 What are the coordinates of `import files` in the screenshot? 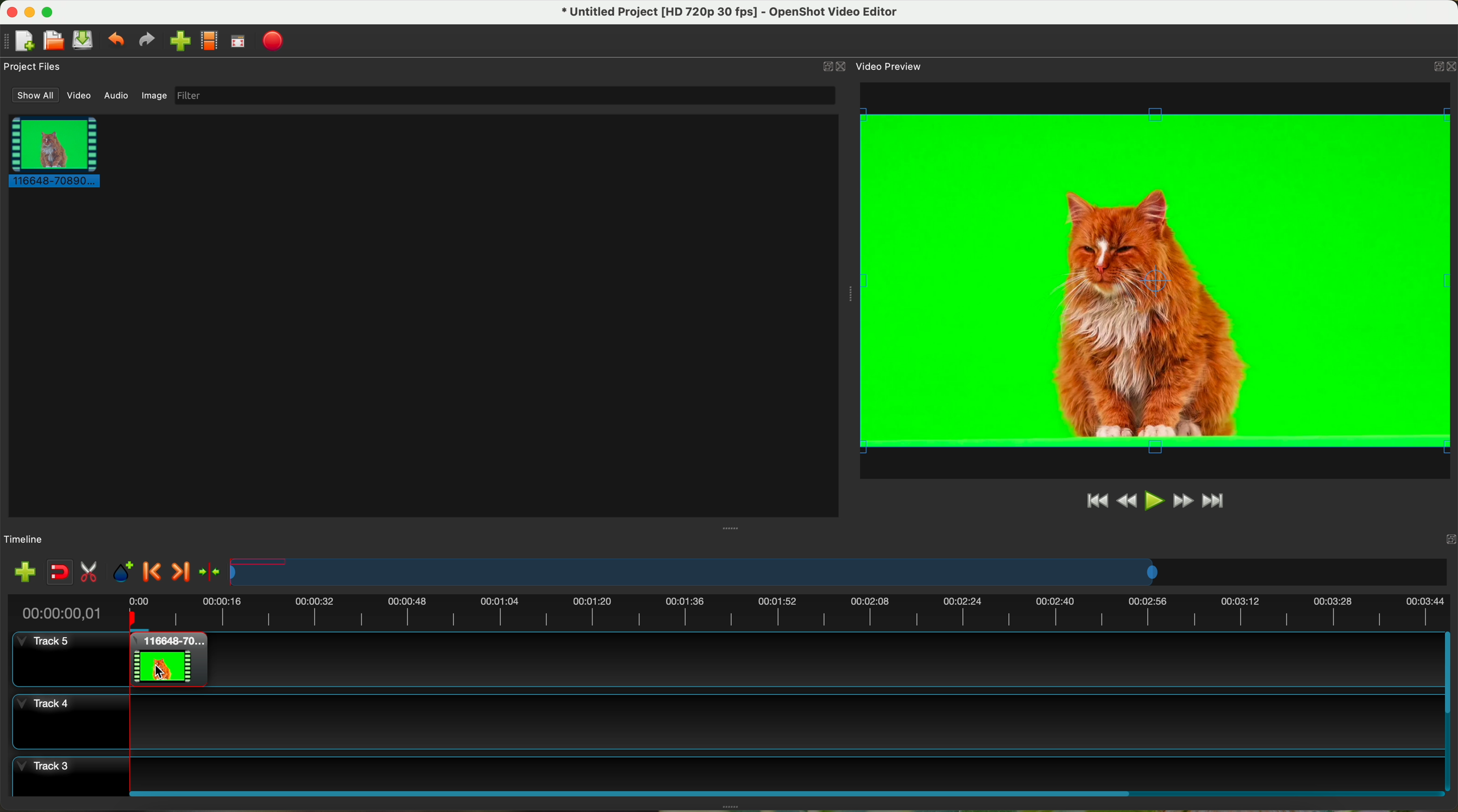 It's located at (24, 573).